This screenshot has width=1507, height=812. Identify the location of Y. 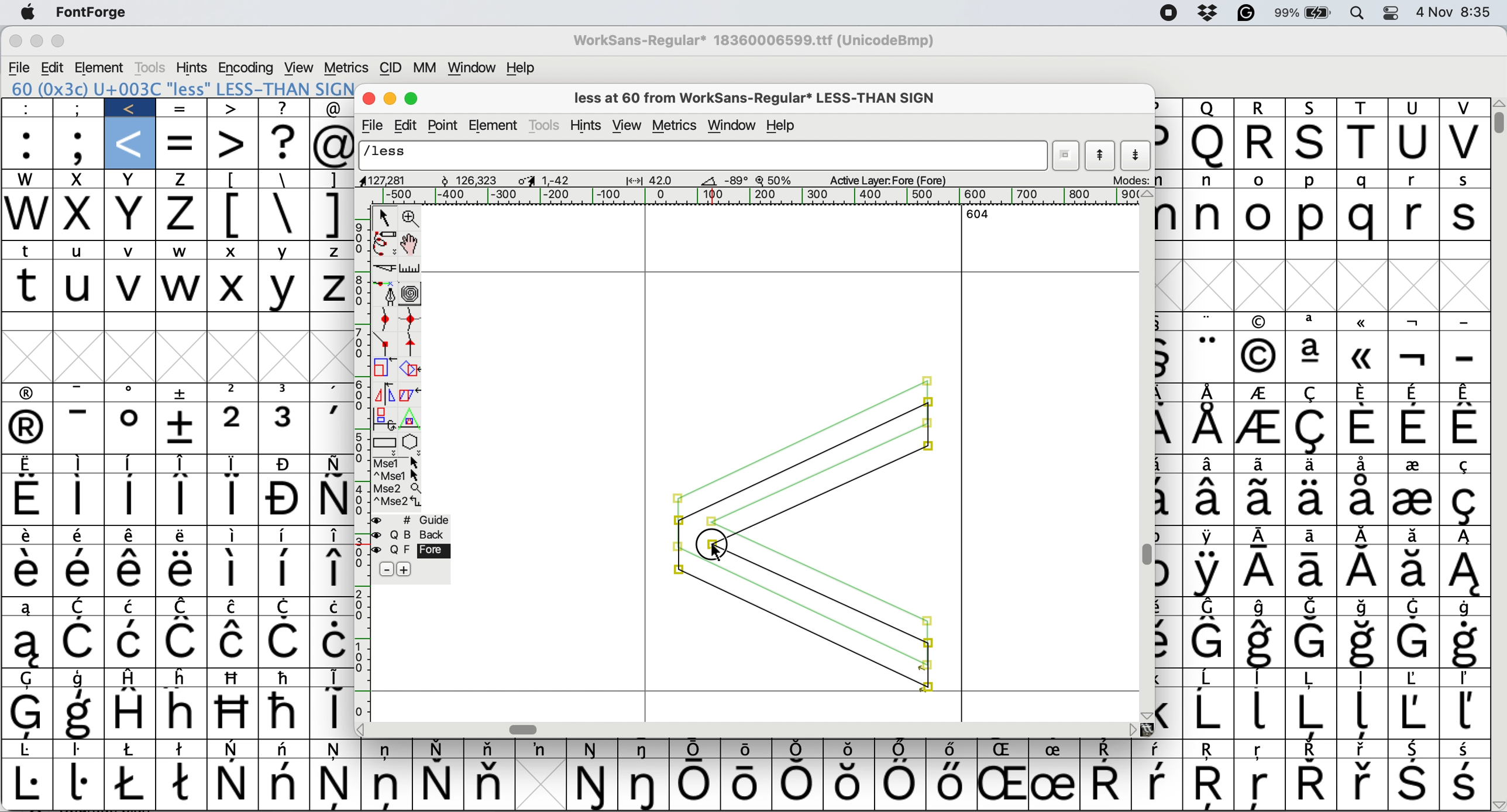
(287, 288).